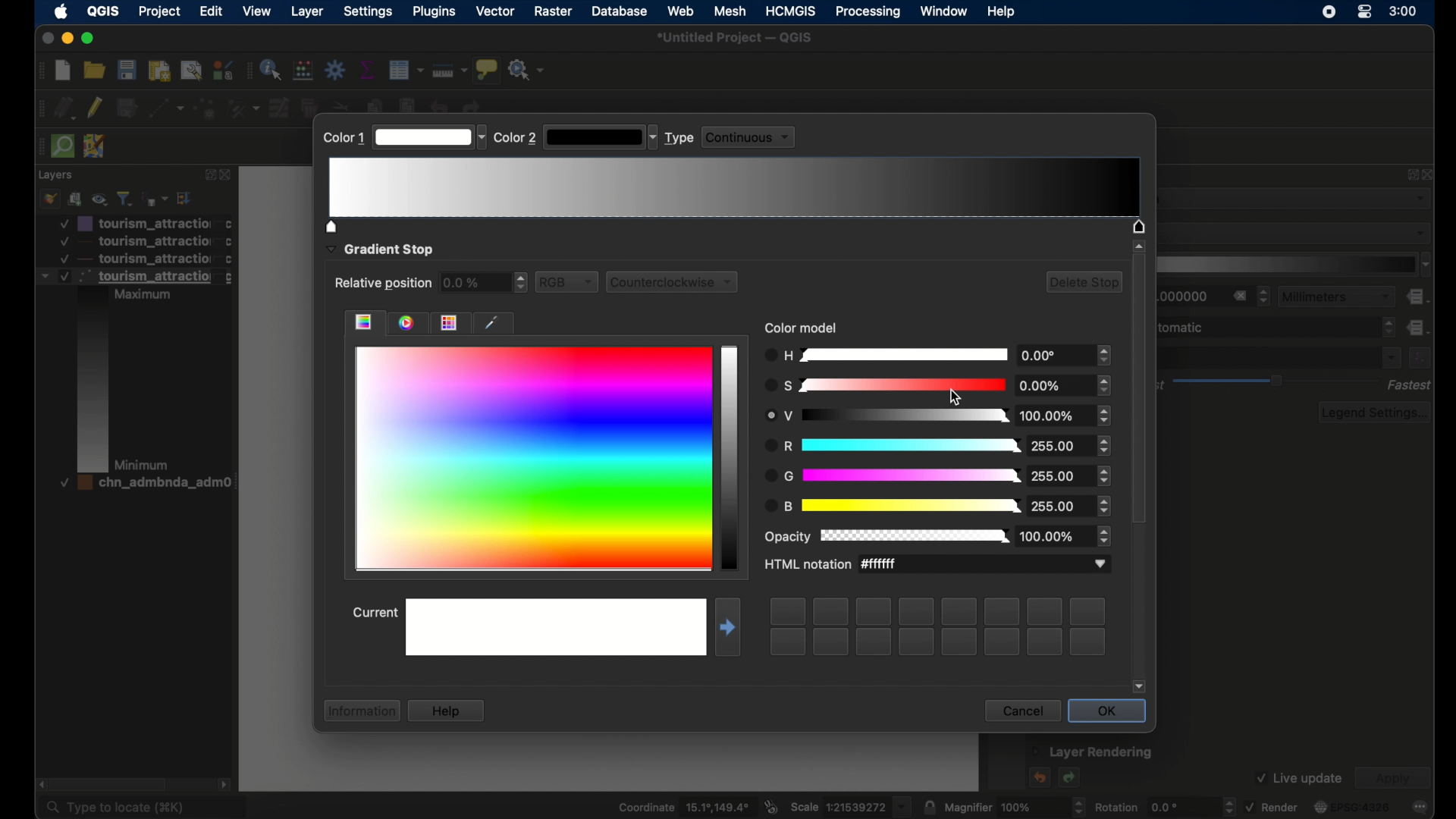 The width and height of the screenshot is (1456, 819). What do you see at coordinates (124, 197) in the screenshot?
I see `filter` at bounding box center [124, 197].